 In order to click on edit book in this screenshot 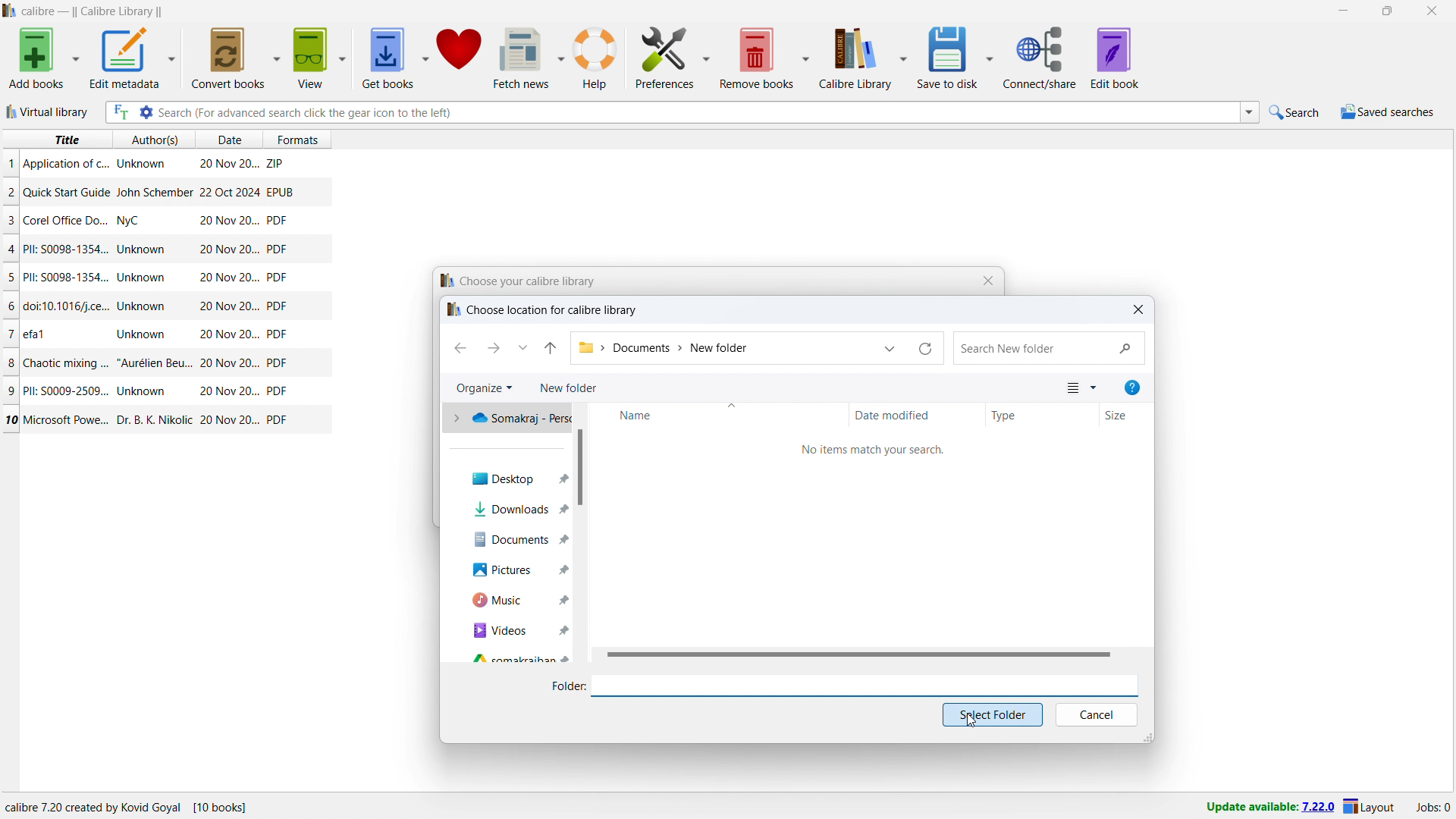, I will do `click(1116, 58)`.